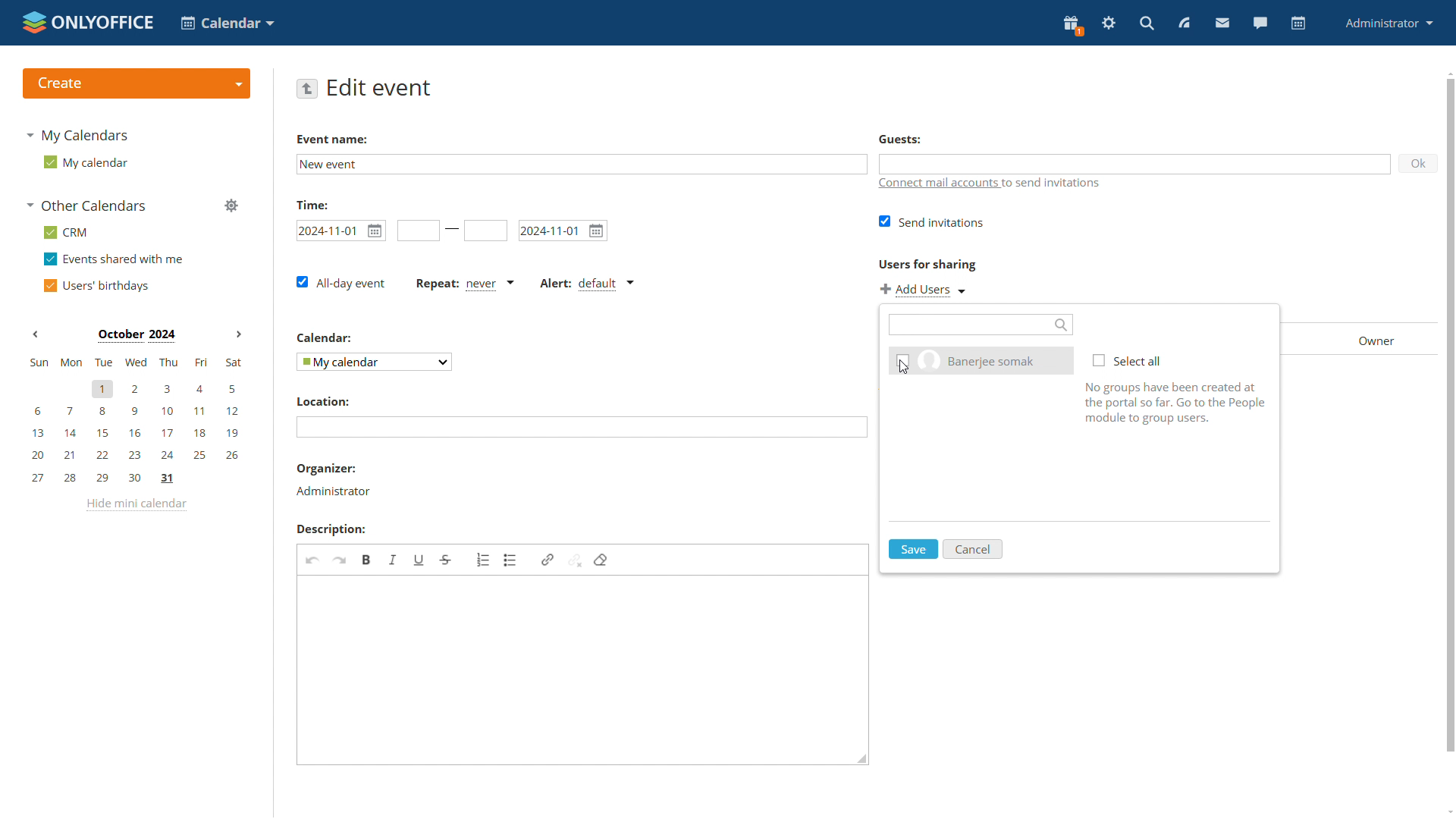  What do you see at coordinates (1449, 73) in the screenshot?
I see `scroll up` at bounding box center [1449, 73].